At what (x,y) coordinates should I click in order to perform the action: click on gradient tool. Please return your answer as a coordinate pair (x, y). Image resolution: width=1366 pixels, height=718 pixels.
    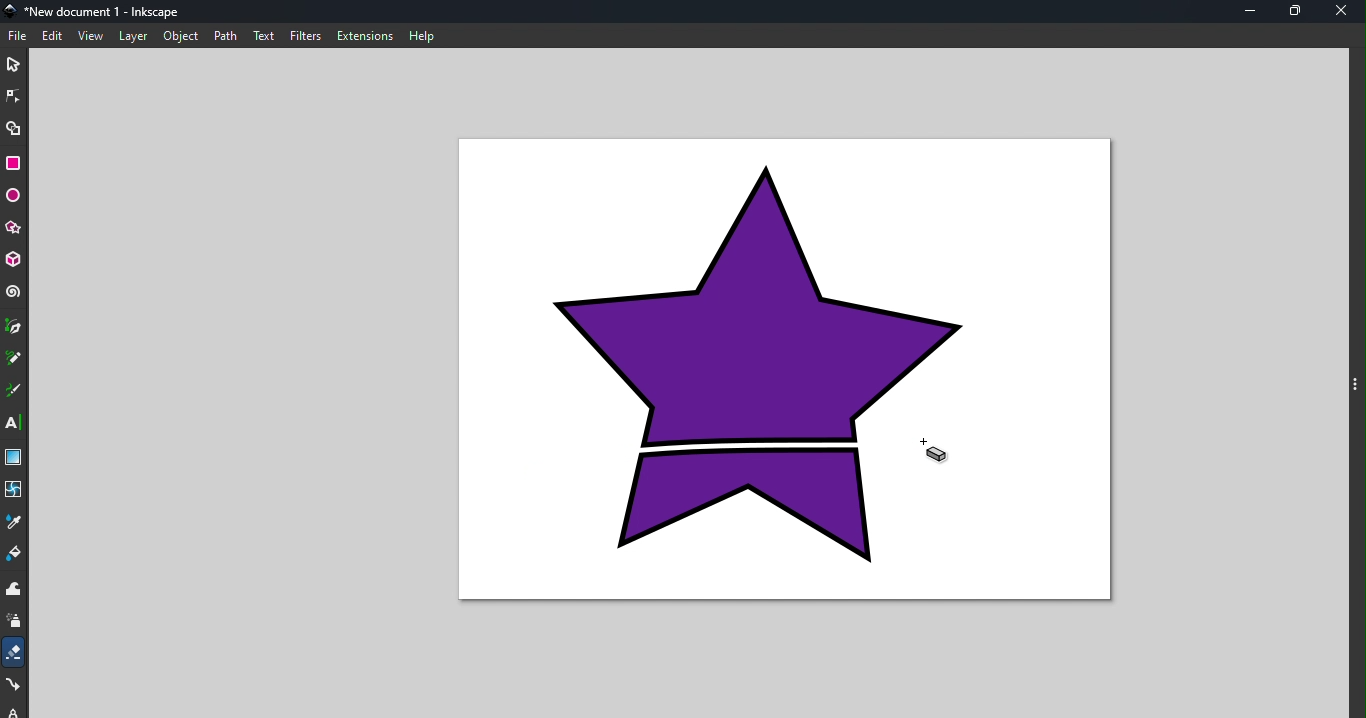
    Looking at the image, I should click on (13, 457).